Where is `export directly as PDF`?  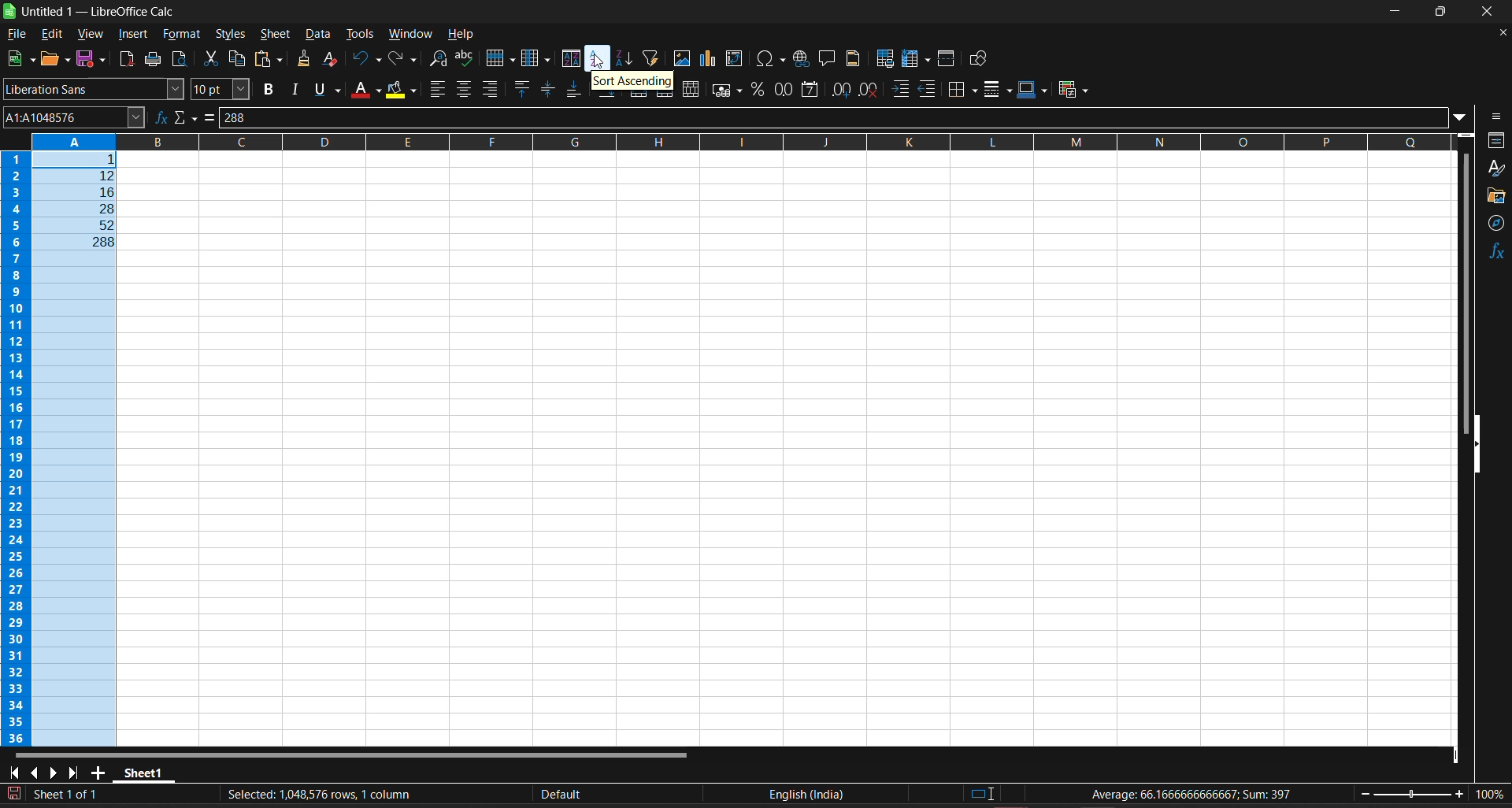 export directly as PDF is located at coordinates (124, 60).